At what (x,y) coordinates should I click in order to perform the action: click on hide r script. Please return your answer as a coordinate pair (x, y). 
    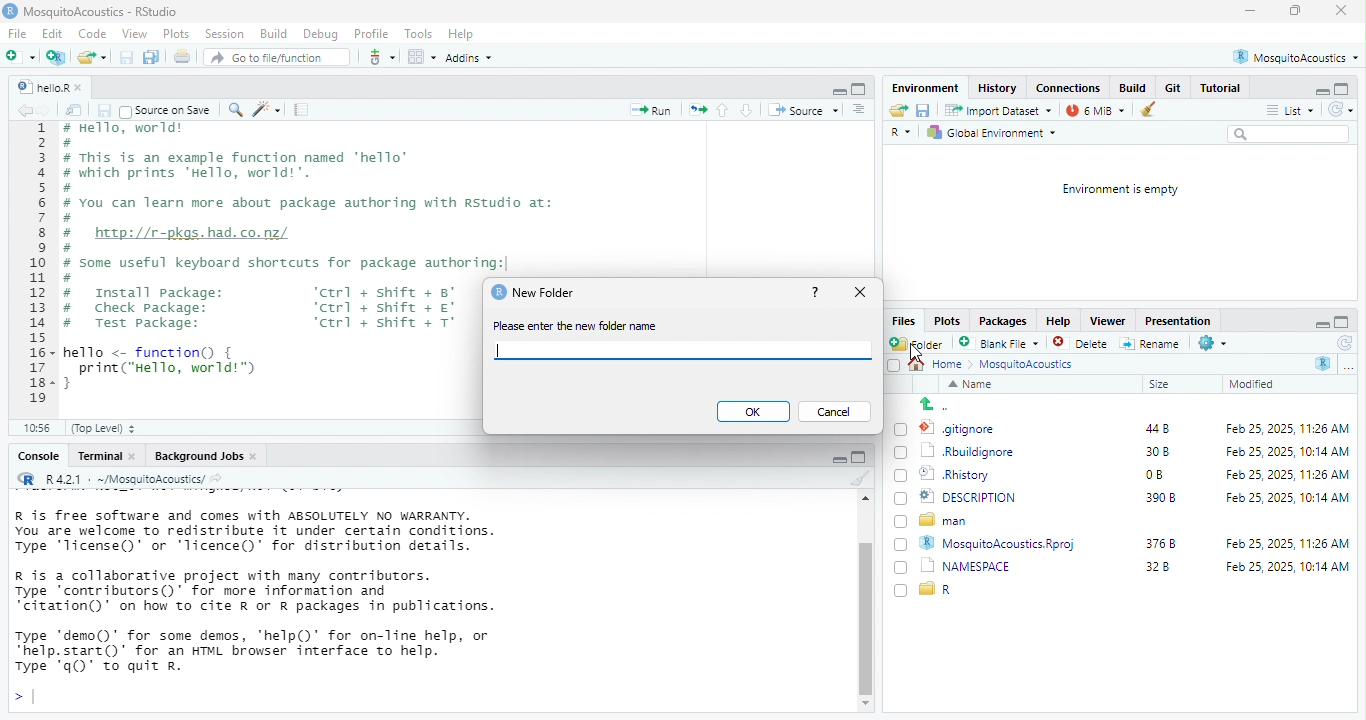
    Looking at the image, I should click on (1322, 90).